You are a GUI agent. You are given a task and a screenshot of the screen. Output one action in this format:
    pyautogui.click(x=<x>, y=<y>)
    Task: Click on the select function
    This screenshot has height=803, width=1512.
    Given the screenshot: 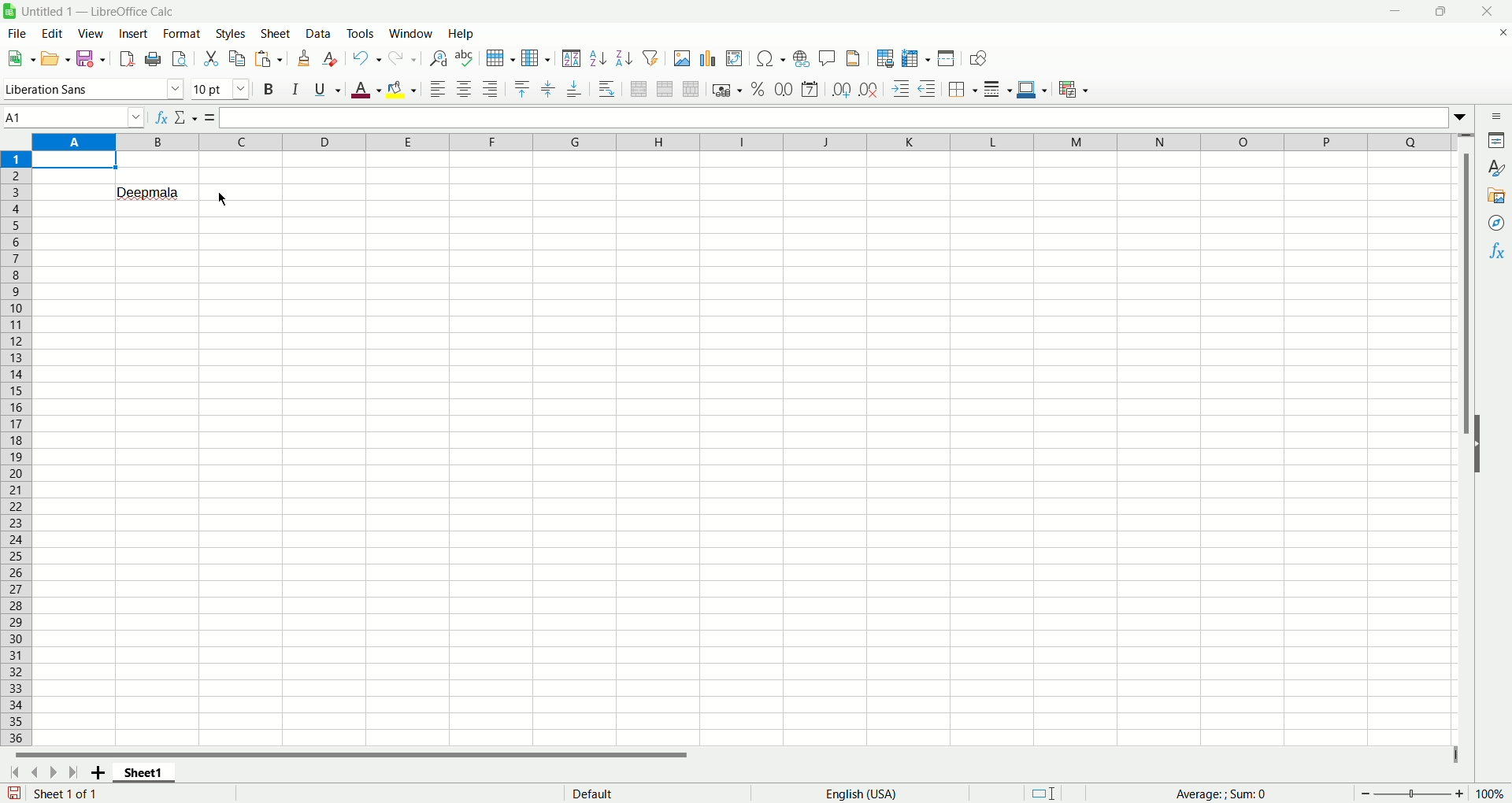 What is the action you would take?
    pyautogui.click(x=187, y=117)
    